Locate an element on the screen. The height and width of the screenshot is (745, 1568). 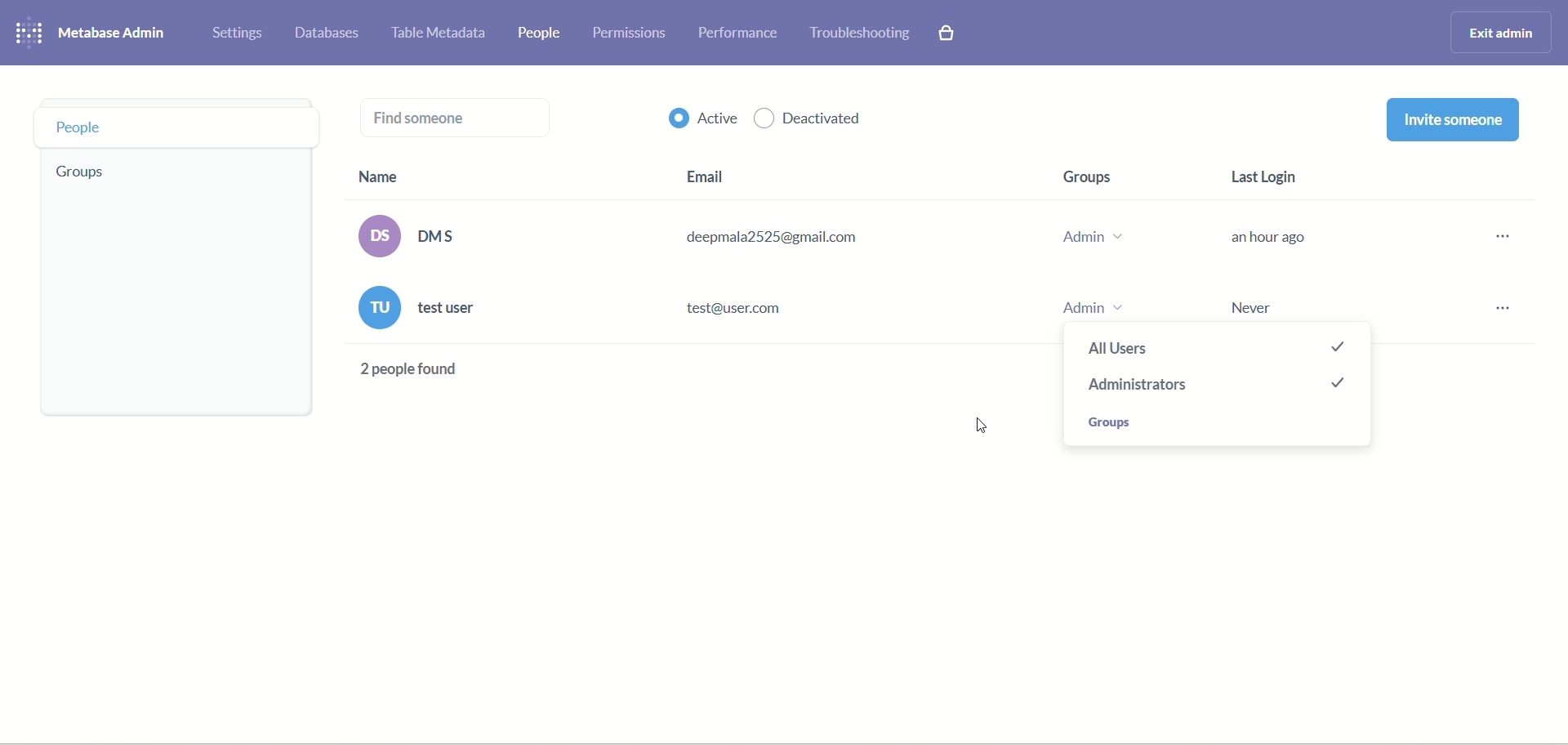
exit admin is located at coordinates (1503, 30).